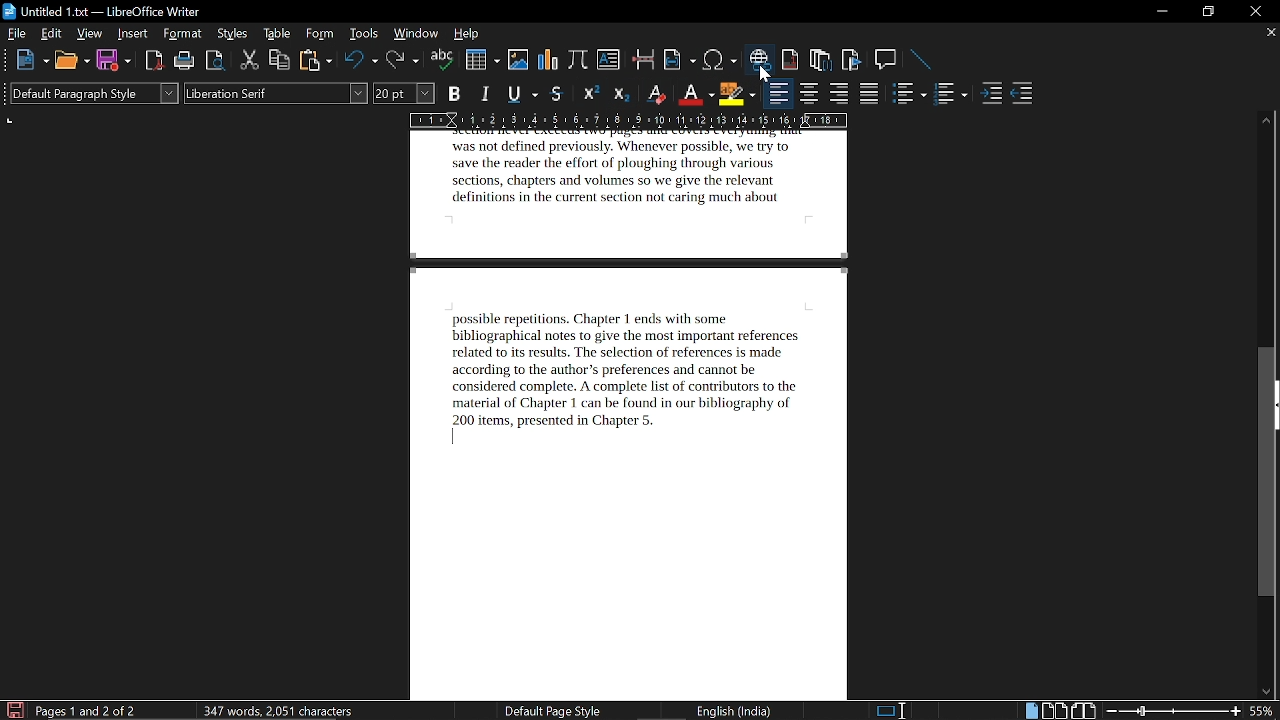 The height and width of the screenshot is (720, 1280). Describe the element at coordinates (764, 74) in the screenshot. I see `Cursor` at that location.